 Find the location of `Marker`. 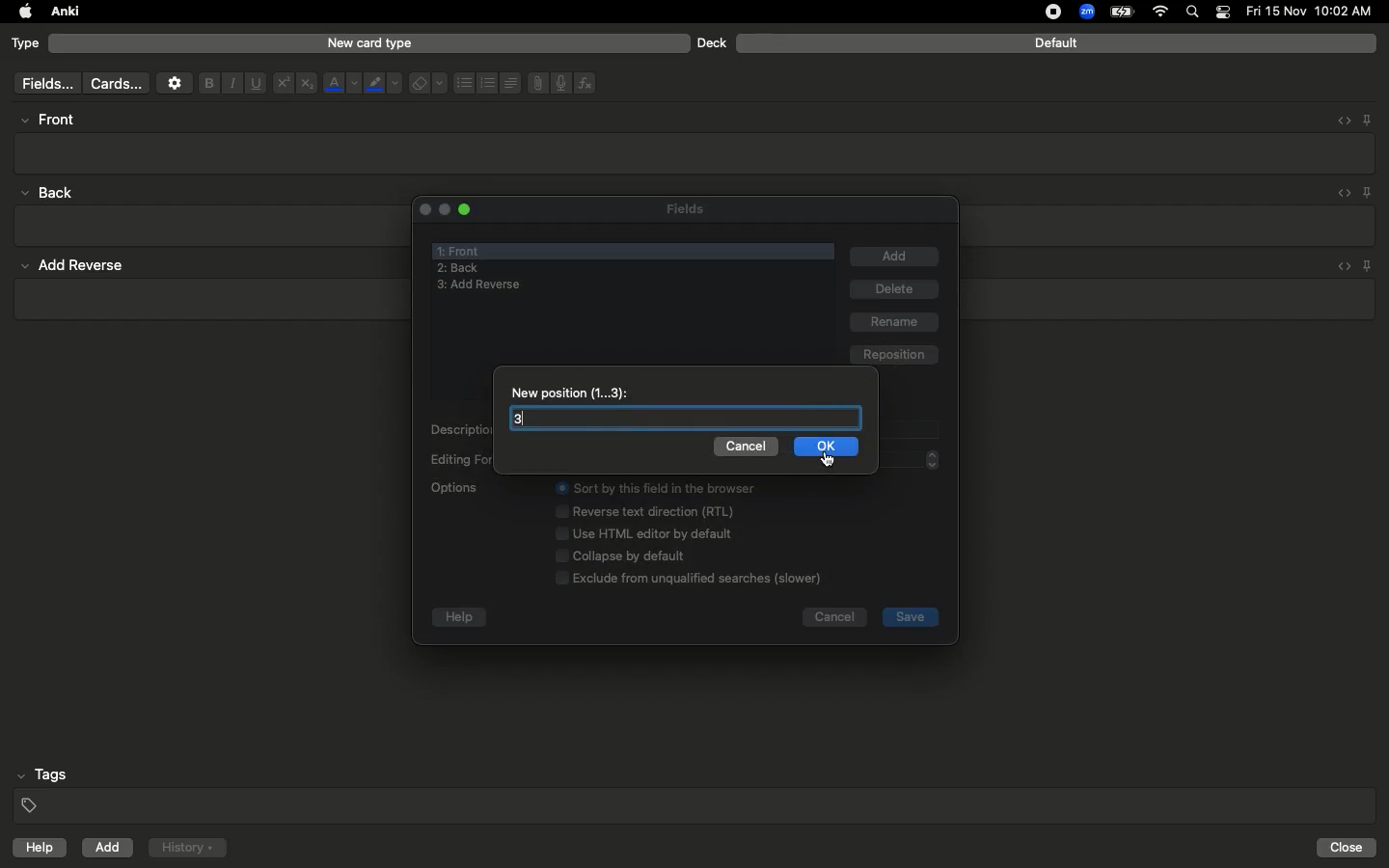

Marker is located at coordinates (383, 85).